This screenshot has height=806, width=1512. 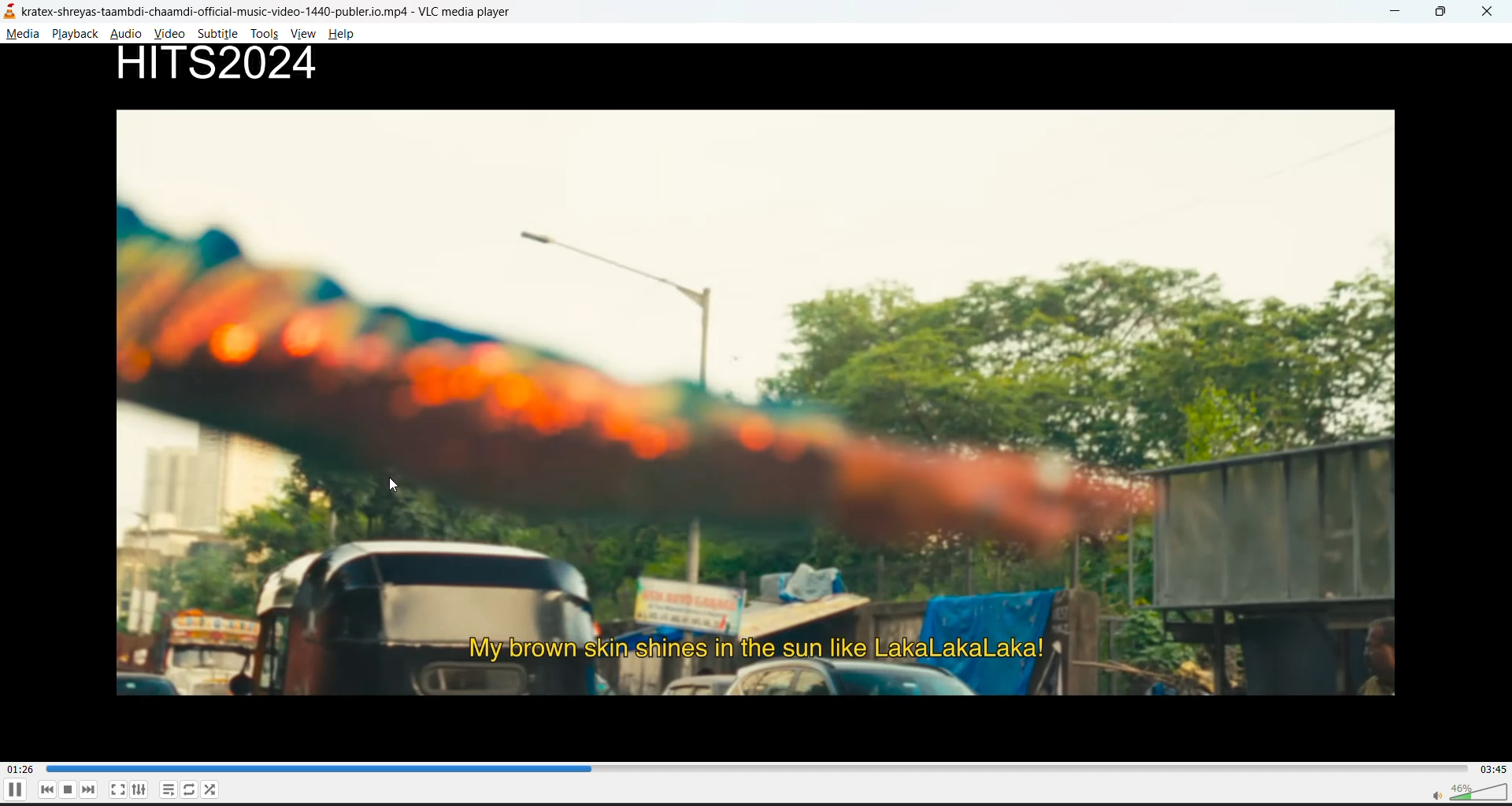 I want to click on close, so click(x=1488, y=13).